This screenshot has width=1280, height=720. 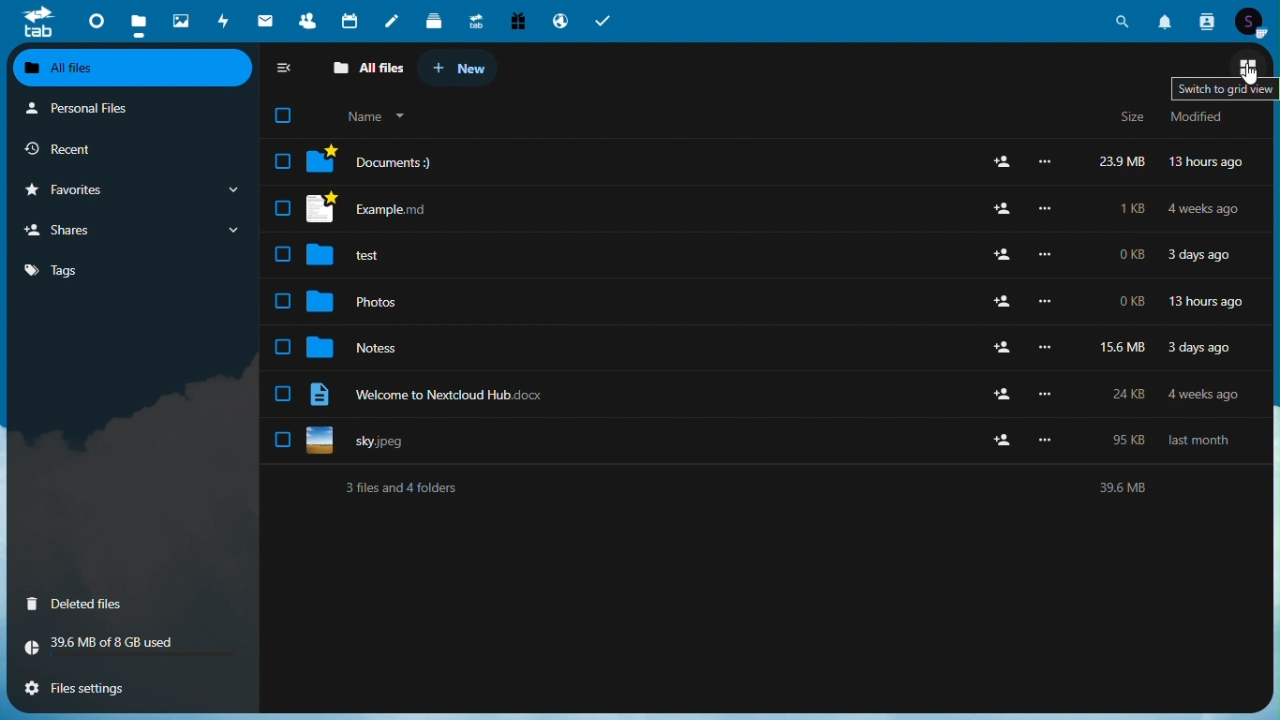 I want to click on dashboard, so click(x=95, y=21).